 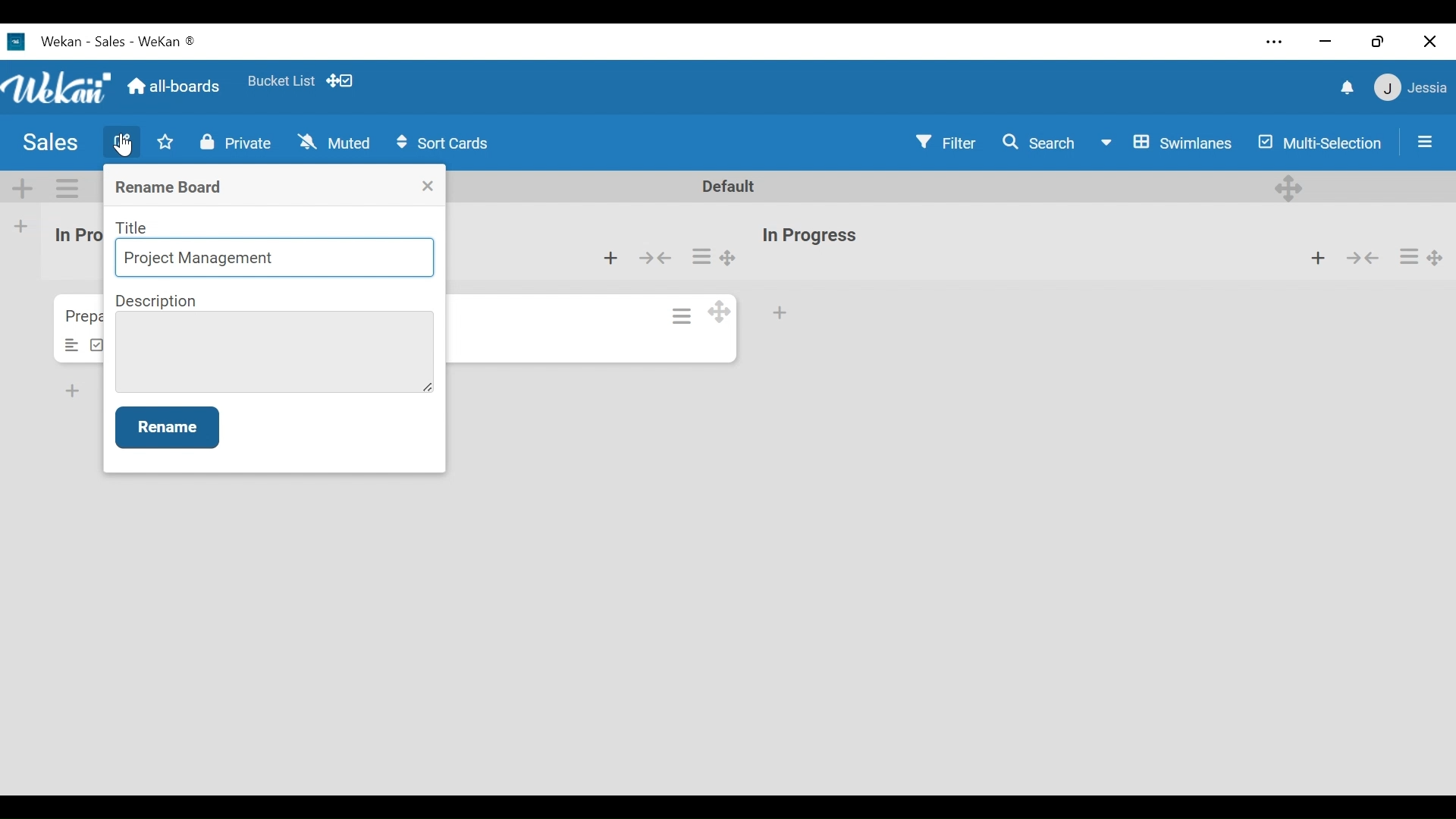 What do you see at coordinates (780, 313) in the screenshot?
I see `Add card at the bottom of the list` at bounding box center [780, 313].